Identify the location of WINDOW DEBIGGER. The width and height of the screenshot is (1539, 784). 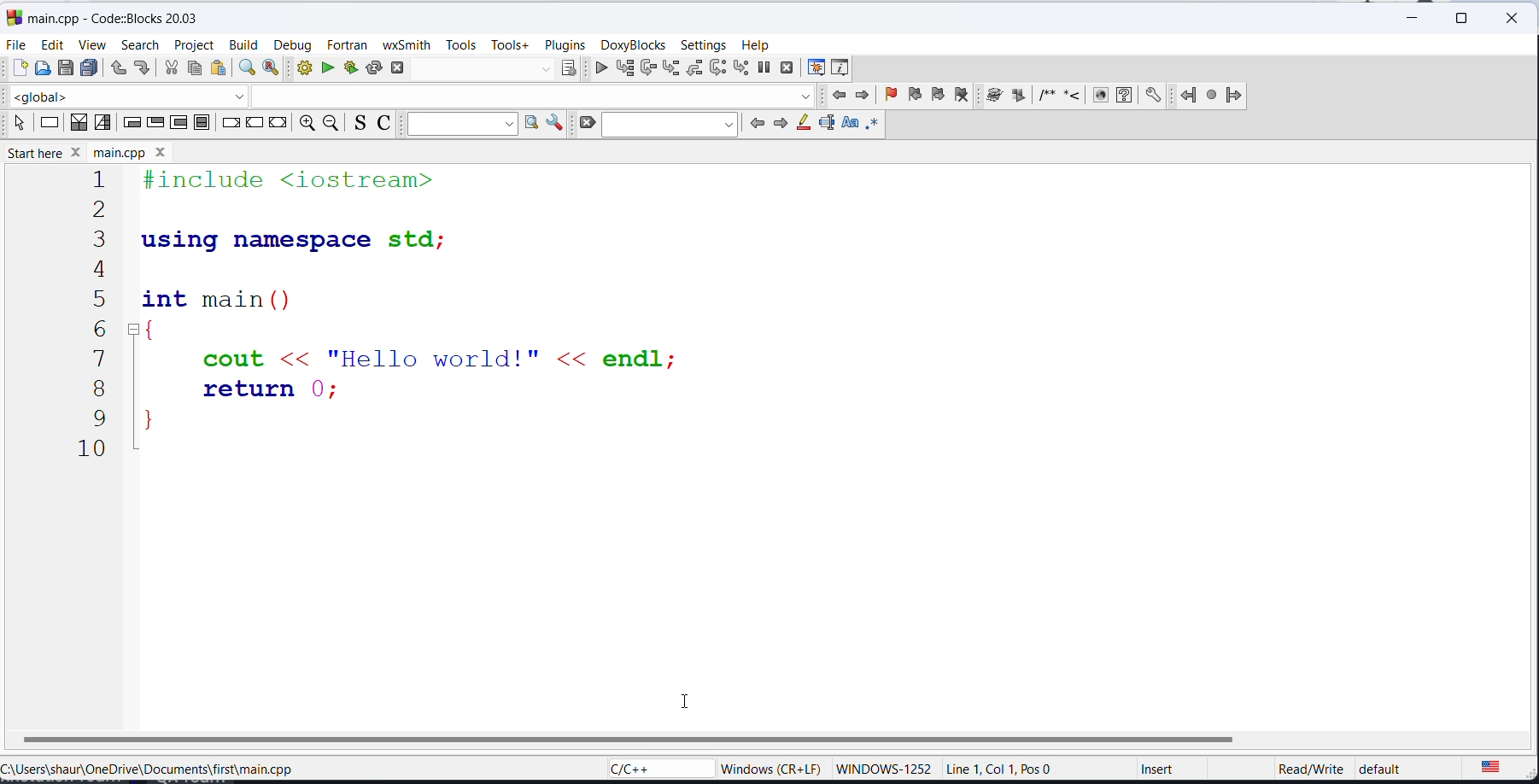
(814, 67).